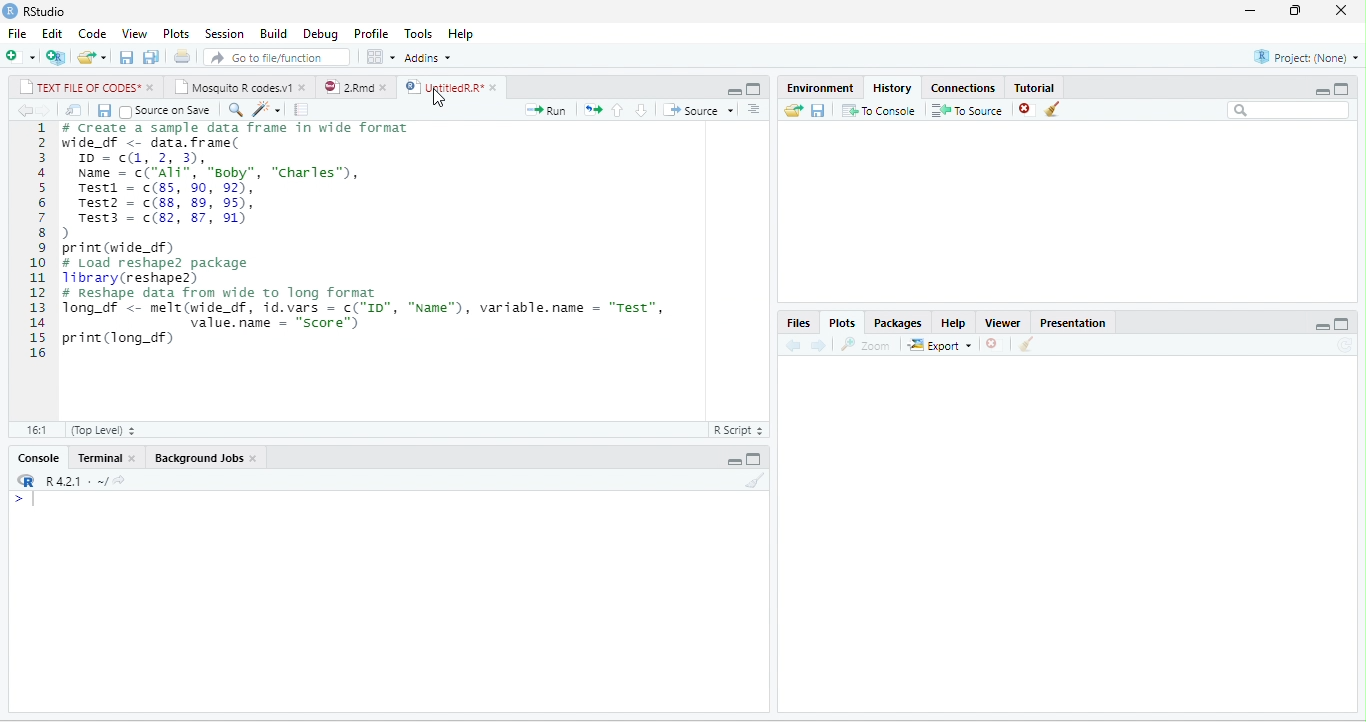  Describe the element at coordinates (1342, 10) in the screenshot. I see `close` at that location.